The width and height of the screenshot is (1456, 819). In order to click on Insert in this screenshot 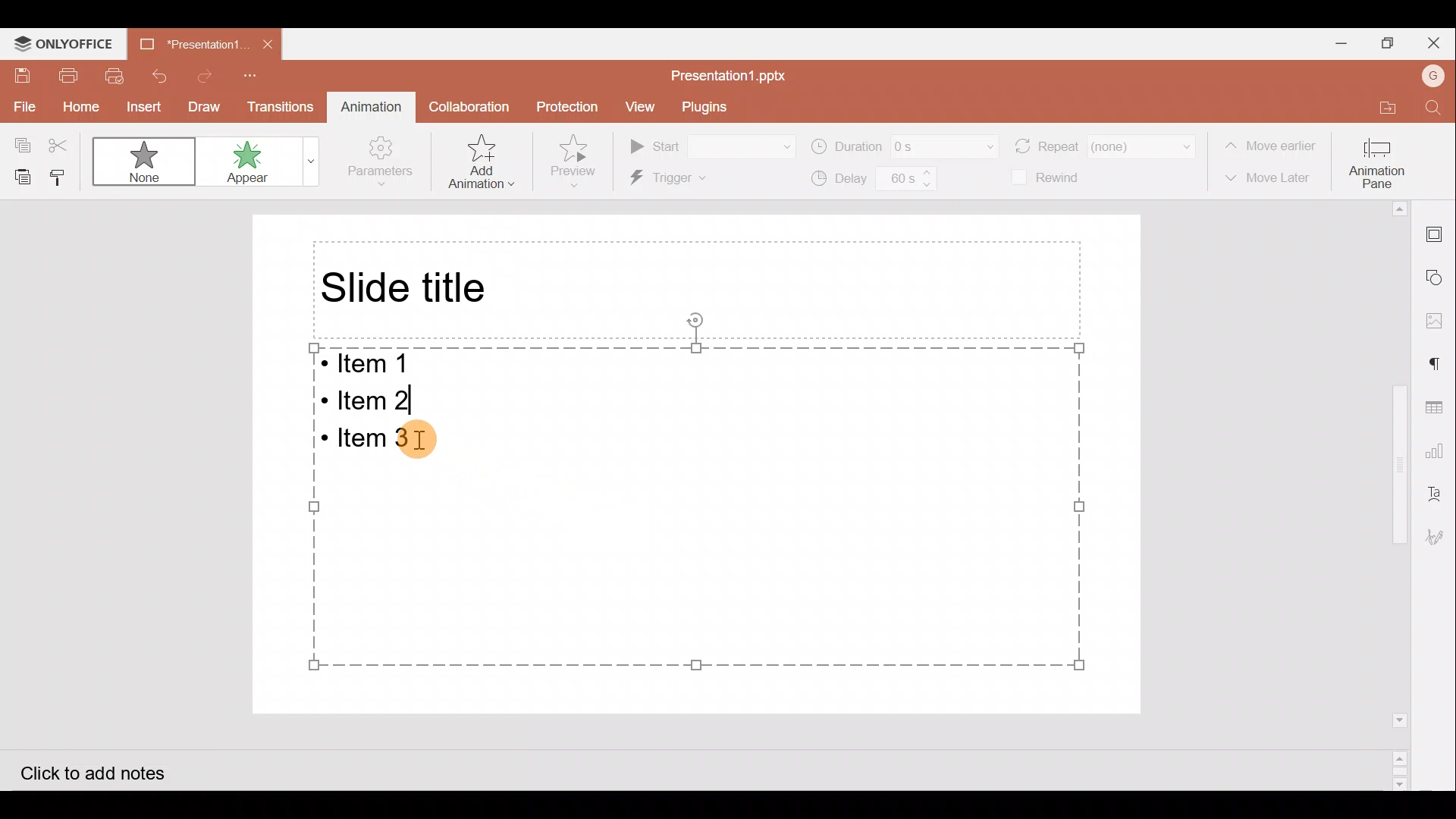, I will do `click(140, 105)`.